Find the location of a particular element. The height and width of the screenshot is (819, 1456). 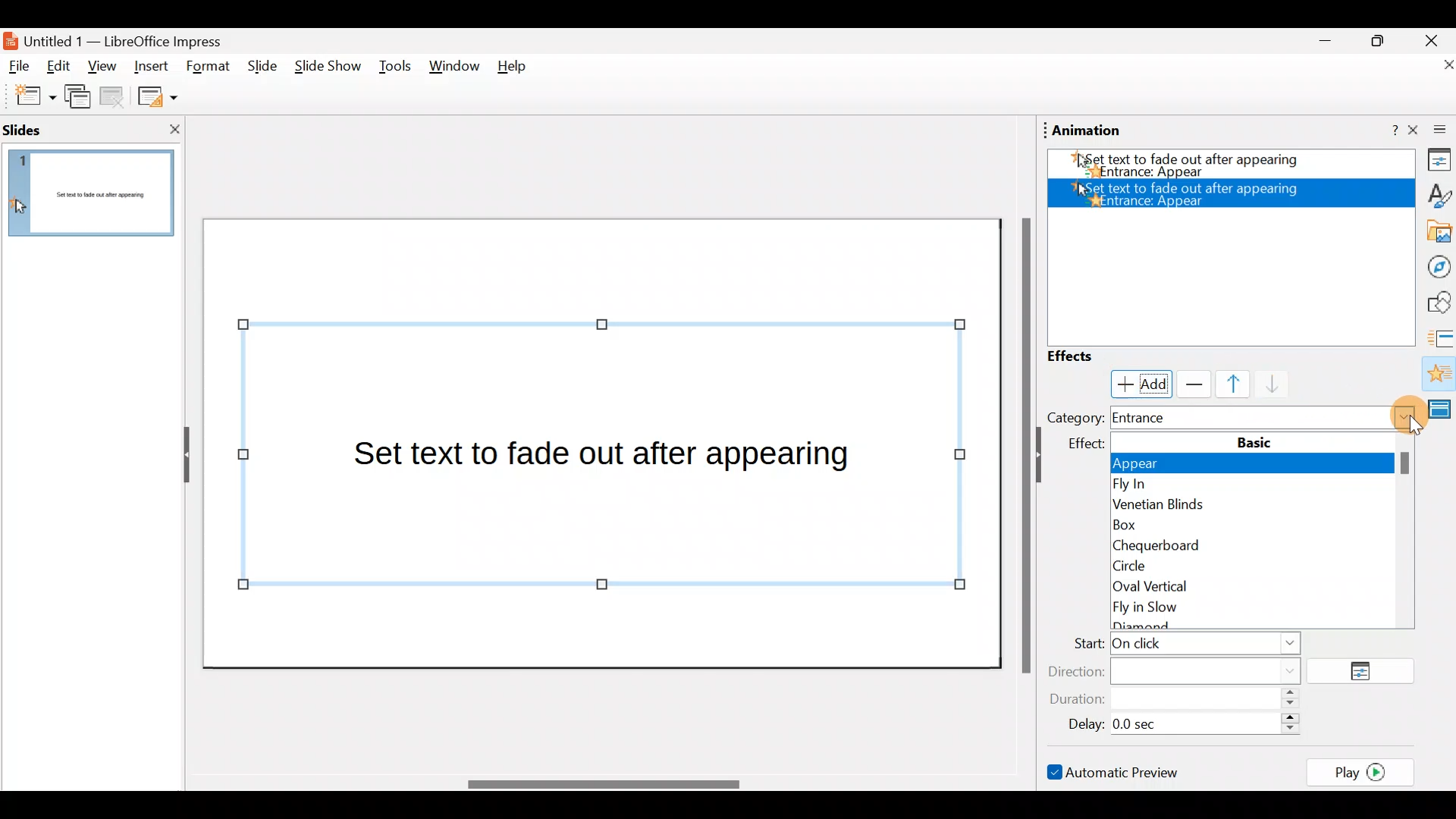

Slide show is located at coordinates (326, 70).